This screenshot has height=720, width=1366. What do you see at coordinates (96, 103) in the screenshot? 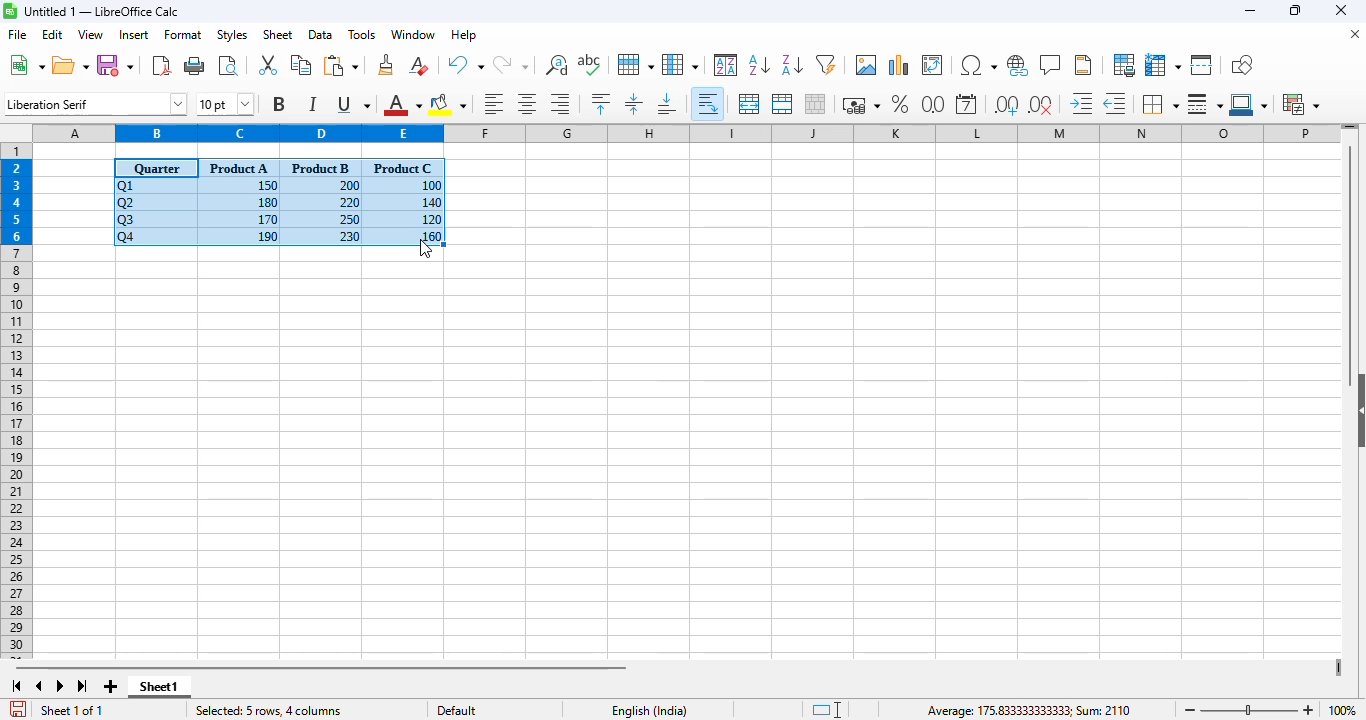
I see `font name` at bounding box center [96, 103].